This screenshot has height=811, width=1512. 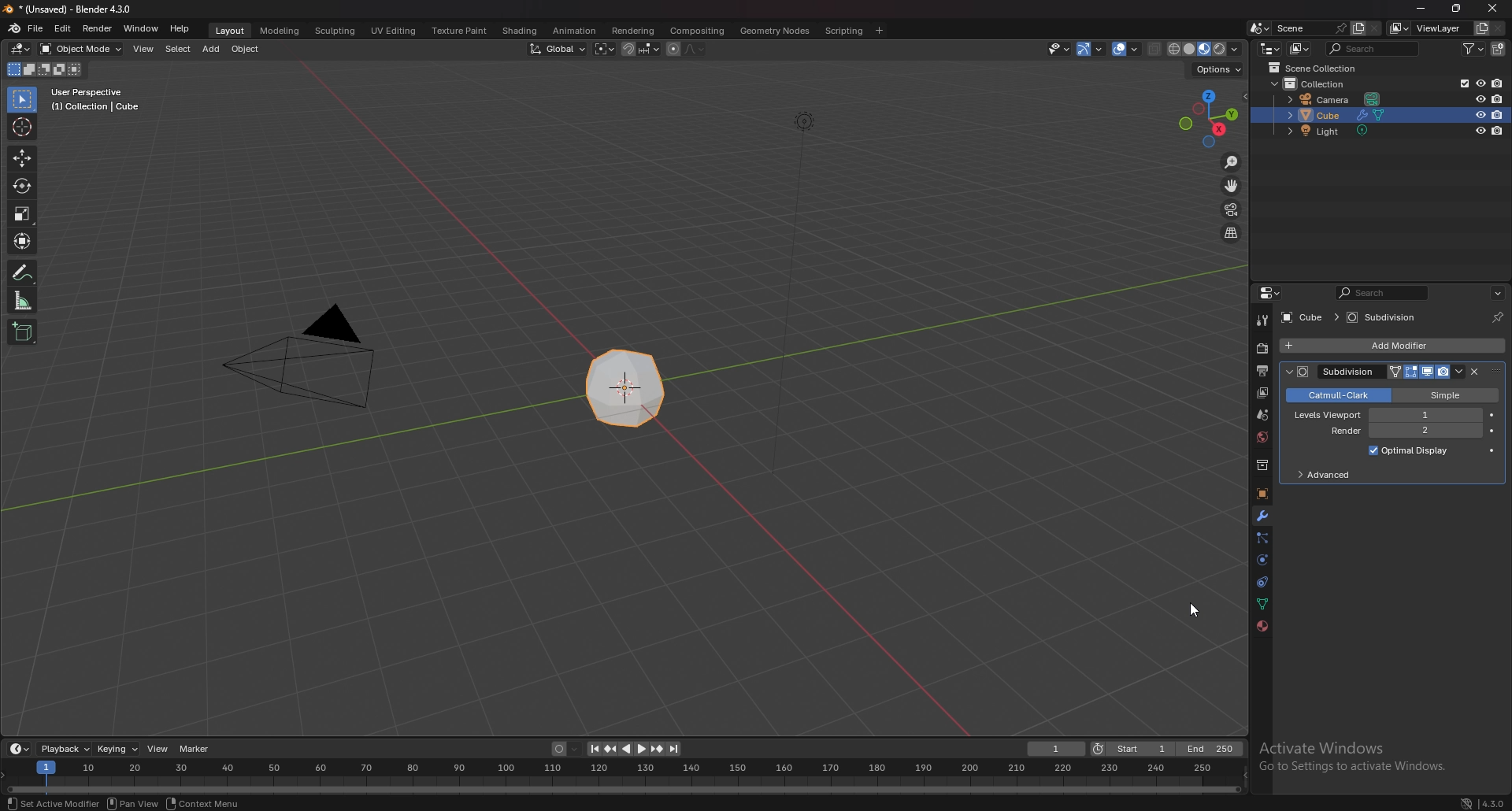 What do you see at coordinates (1475, 372) in the screenshot?
I see `close` at bounding box center [1475, 372].